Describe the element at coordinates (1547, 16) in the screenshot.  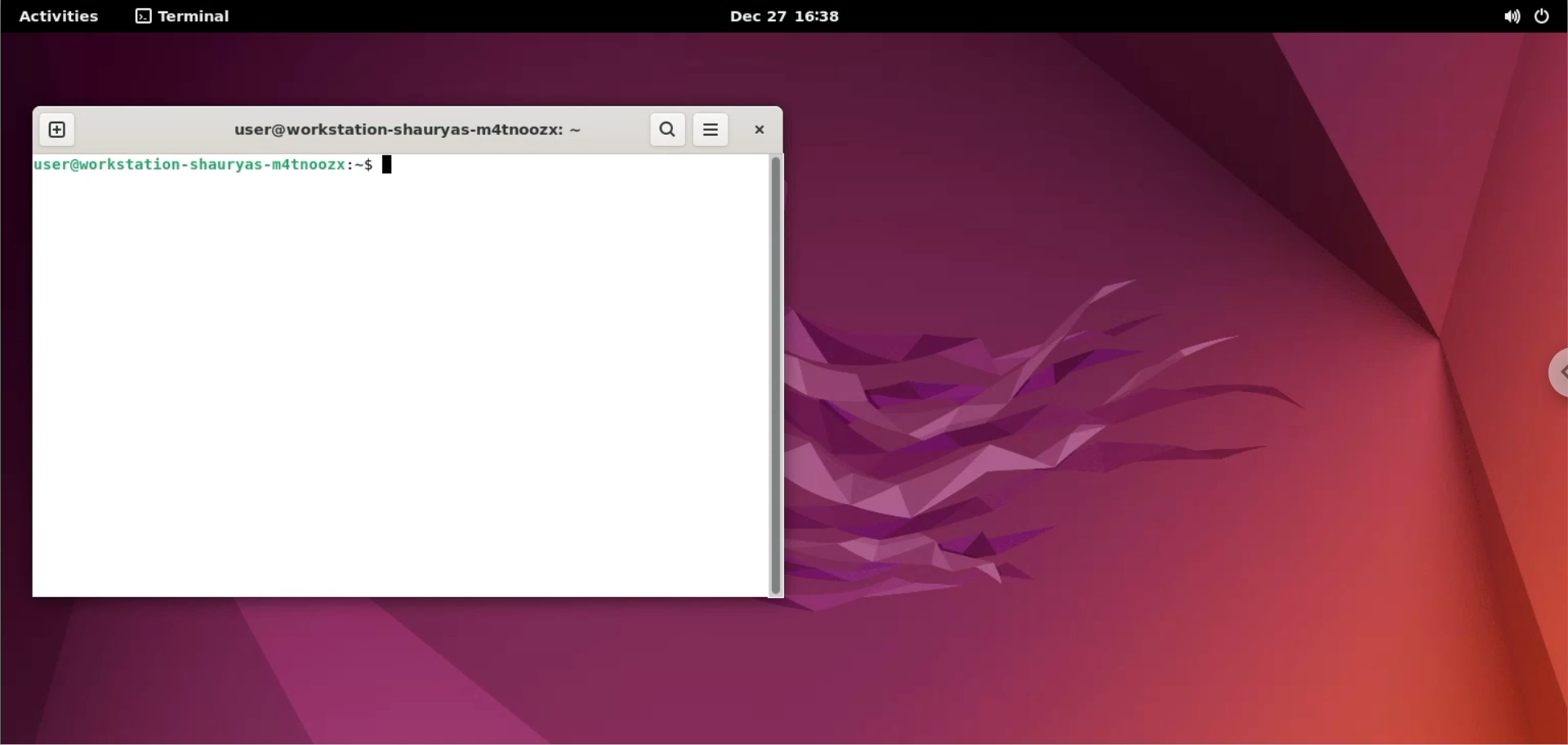
I see `Power` at that location.